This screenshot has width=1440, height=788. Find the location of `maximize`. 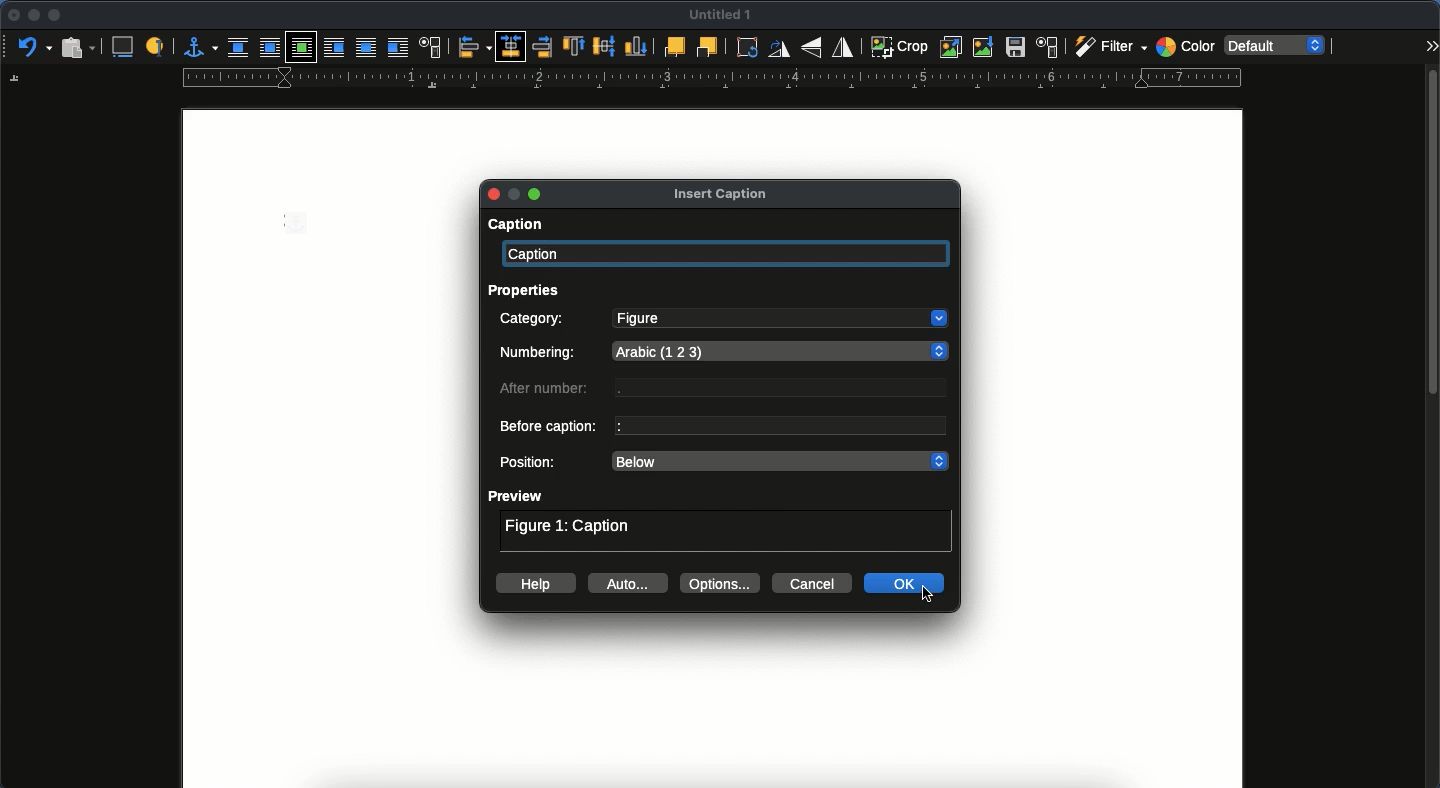

maximize is located at coordinates (56, 17).